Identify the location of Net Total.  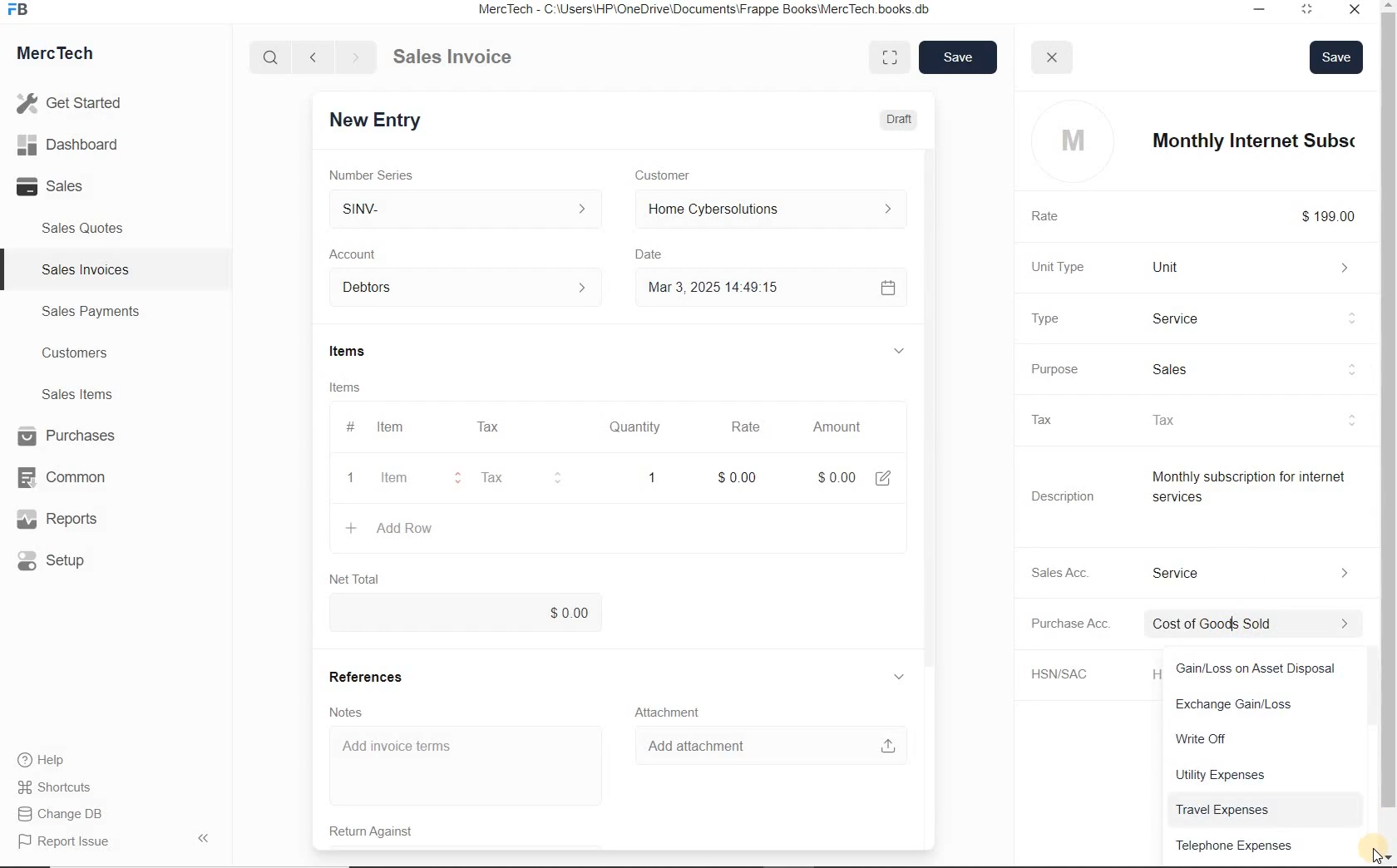
(362, 579).